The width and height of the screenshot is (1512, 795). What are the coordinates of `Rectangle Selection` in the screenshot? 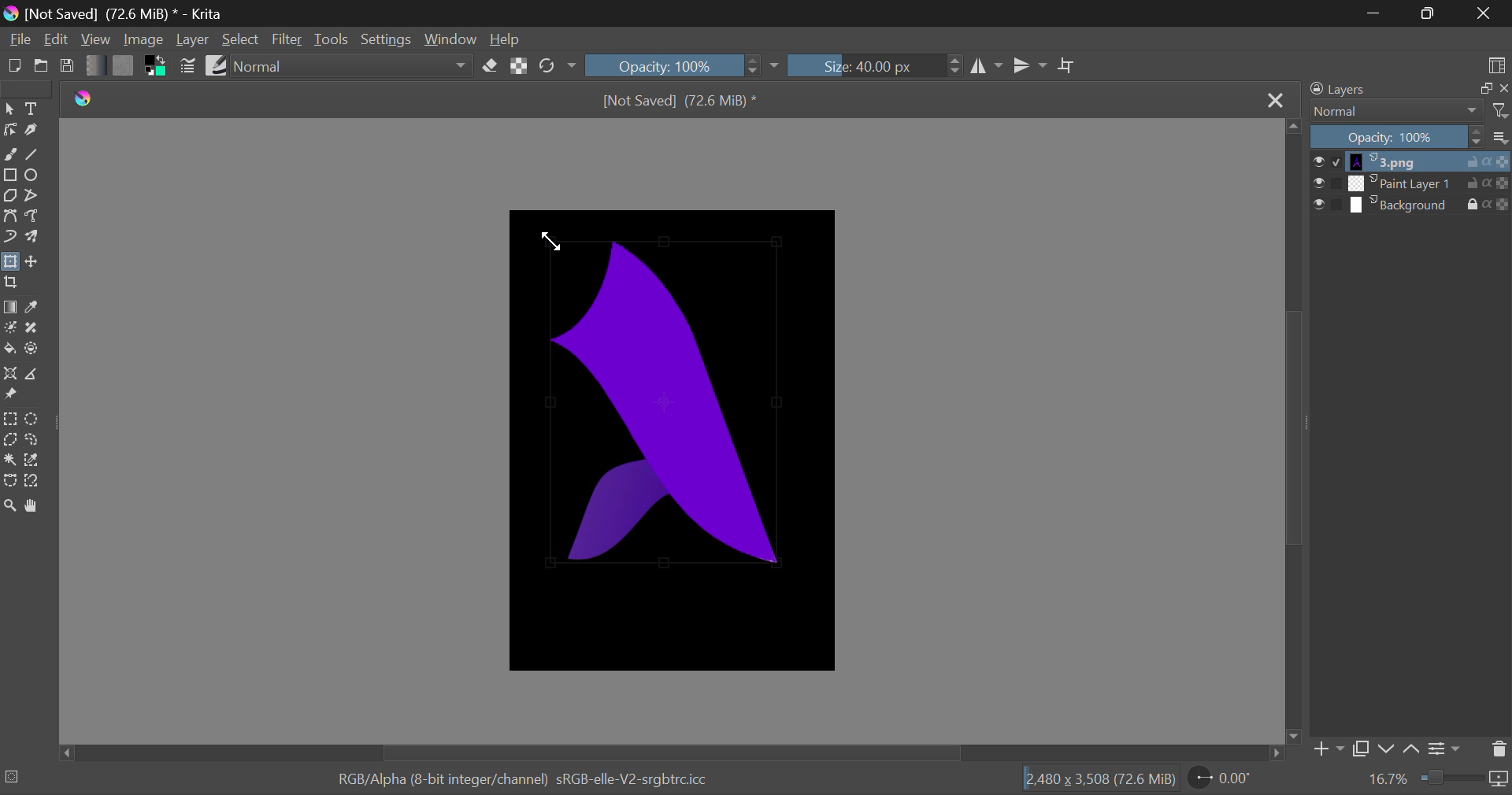 It's located at (13, 420).